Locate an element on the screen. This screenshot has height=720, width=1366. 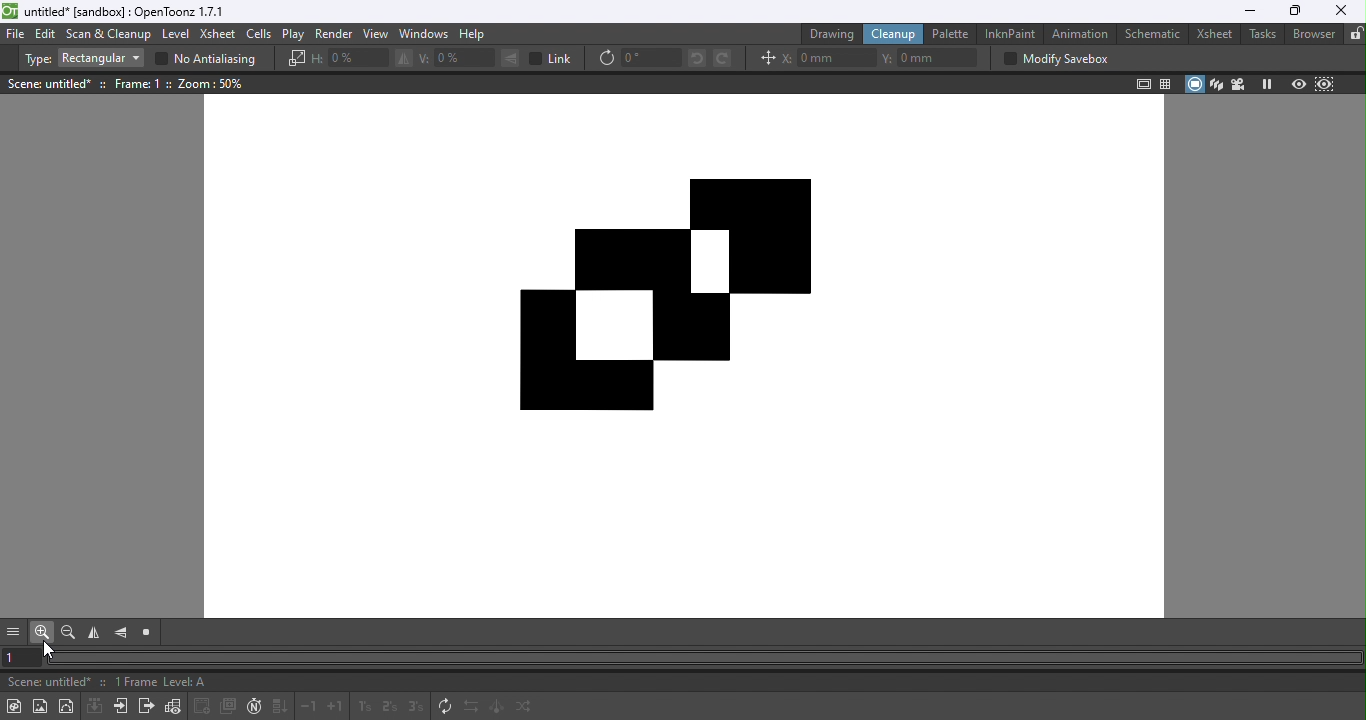
Rotate selection right is located at coordinates (722, 59).